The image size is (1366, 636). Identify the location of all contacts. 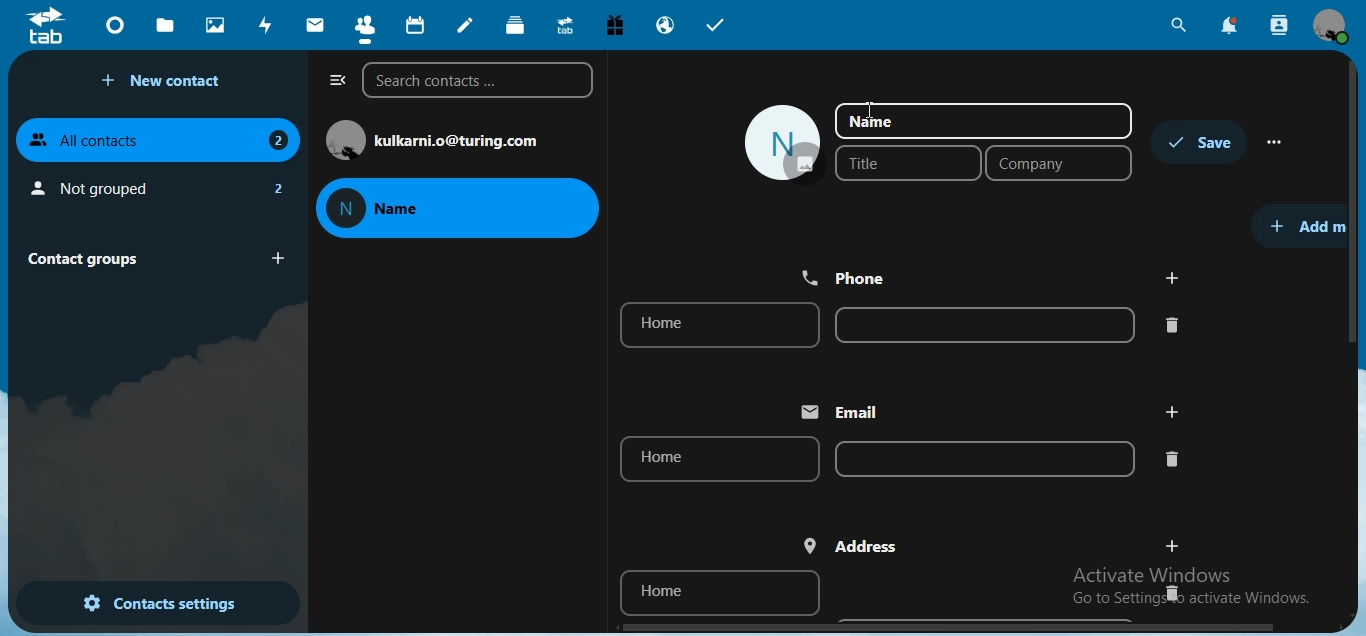
(159, 139).